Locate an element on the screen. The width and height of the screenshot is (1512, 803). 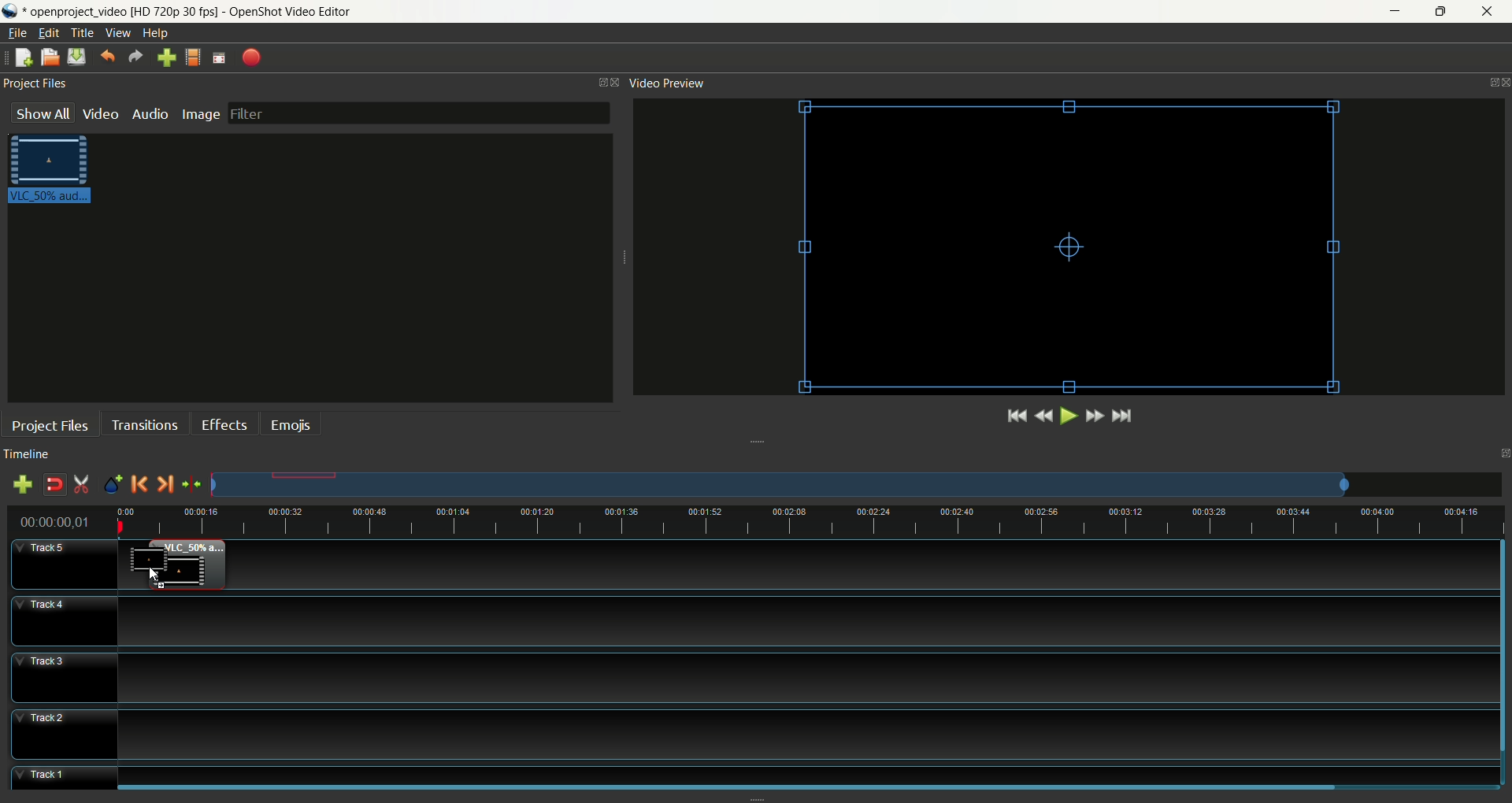
video is located at coordinates (1074, 250).